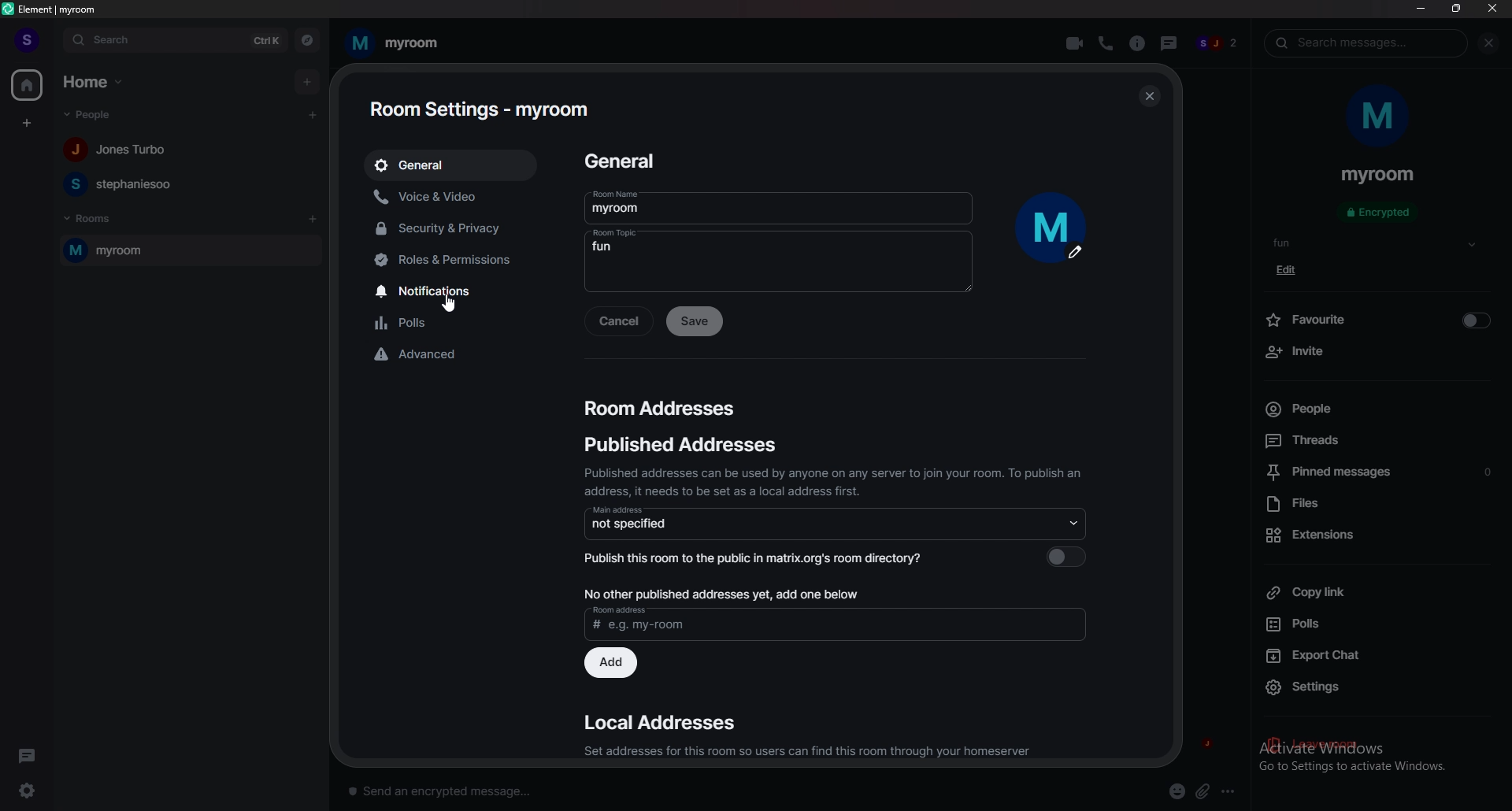 The height and width of the screenshot is (811, 1512). I want to click on room, so click(190, 250).